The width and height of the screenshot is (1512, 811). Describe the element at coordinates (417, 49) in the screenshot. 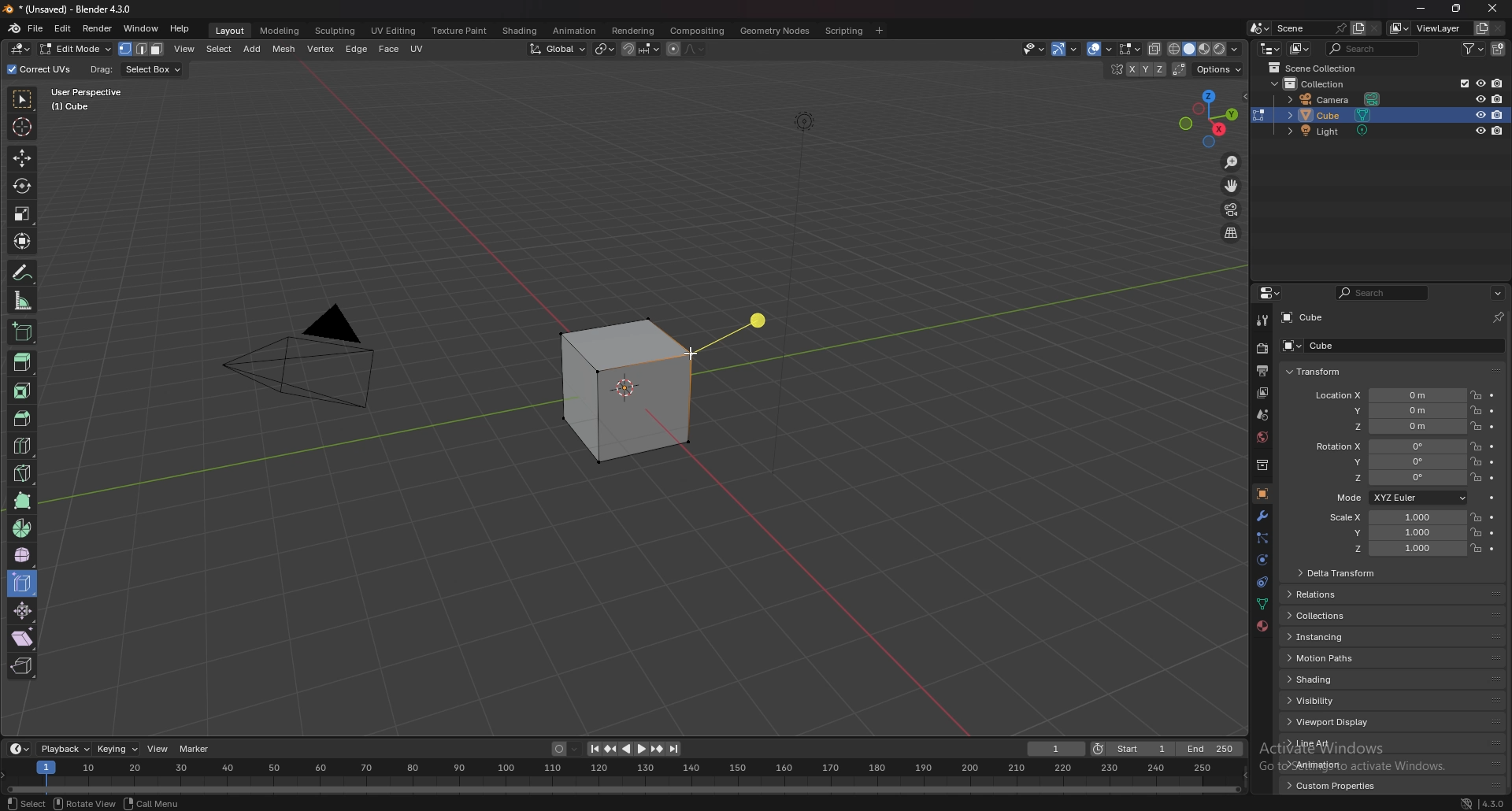

I see `uv` at that location.